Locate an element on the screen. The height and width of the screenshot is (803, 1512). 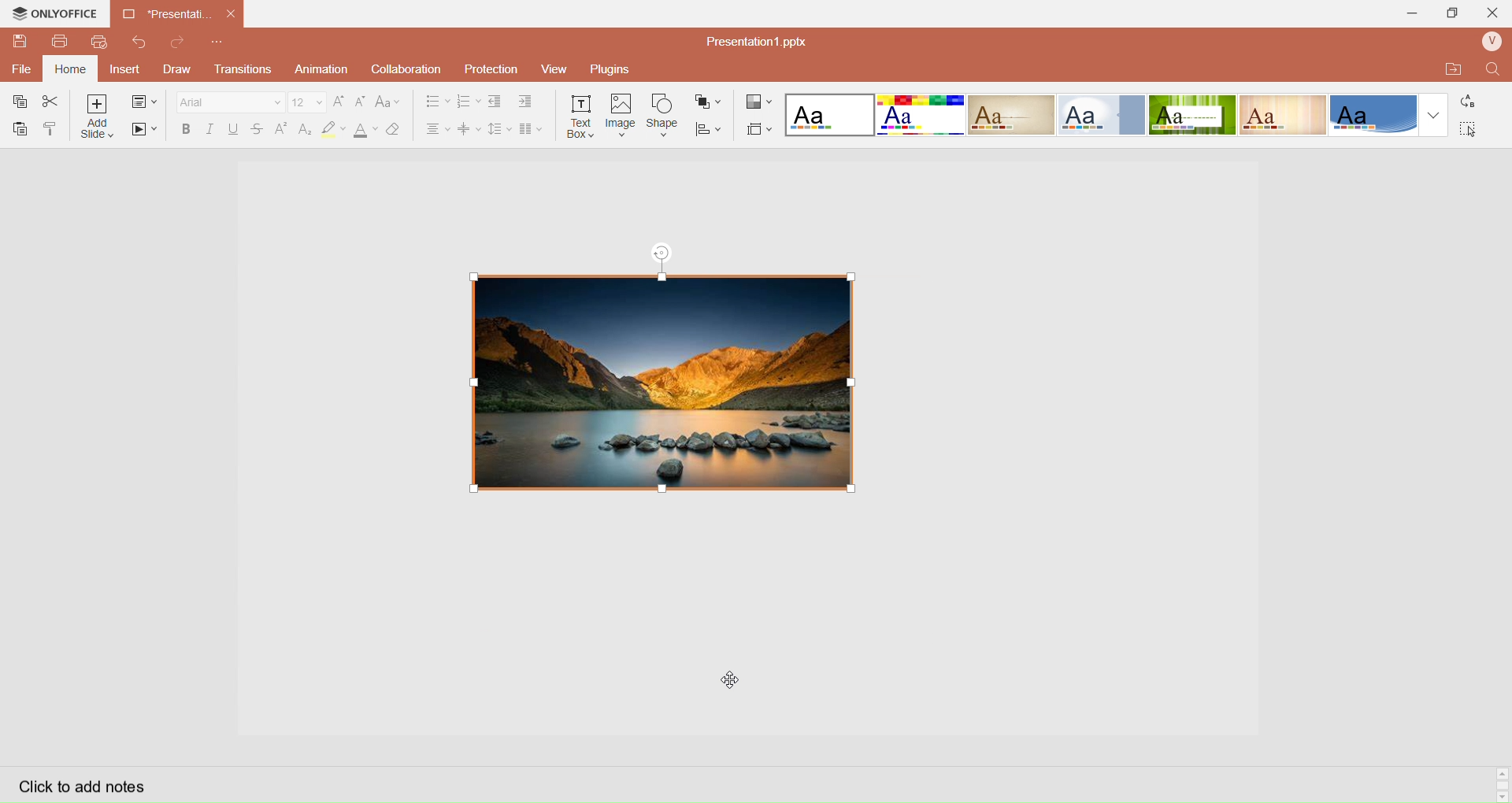
Close is located at coordinates (1495, 13).